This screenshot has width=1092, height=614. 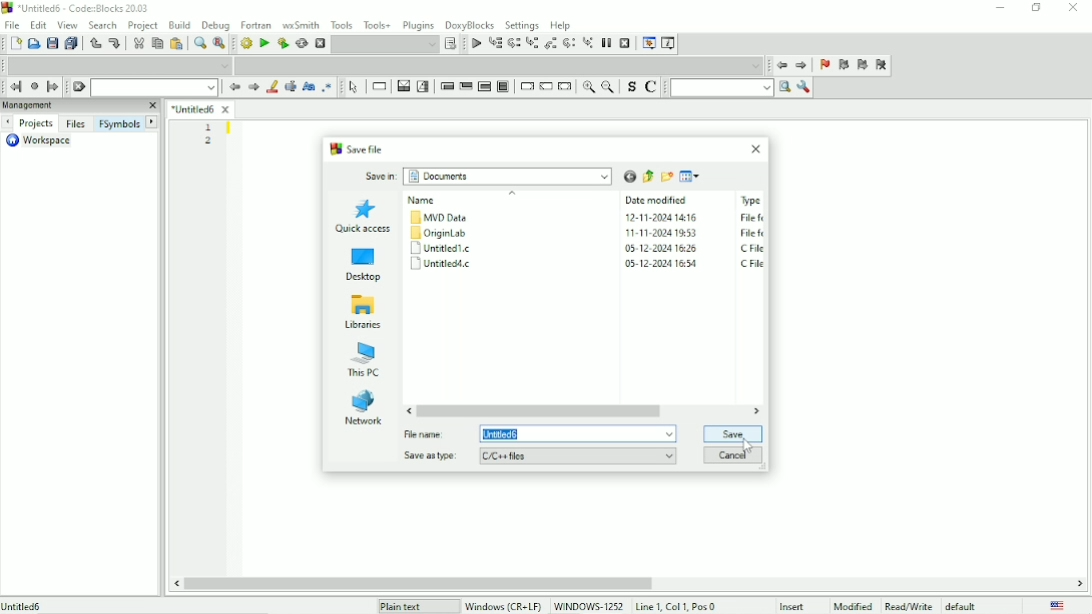 I want to click on DoxyBlocks, so click(x=471, y=25).